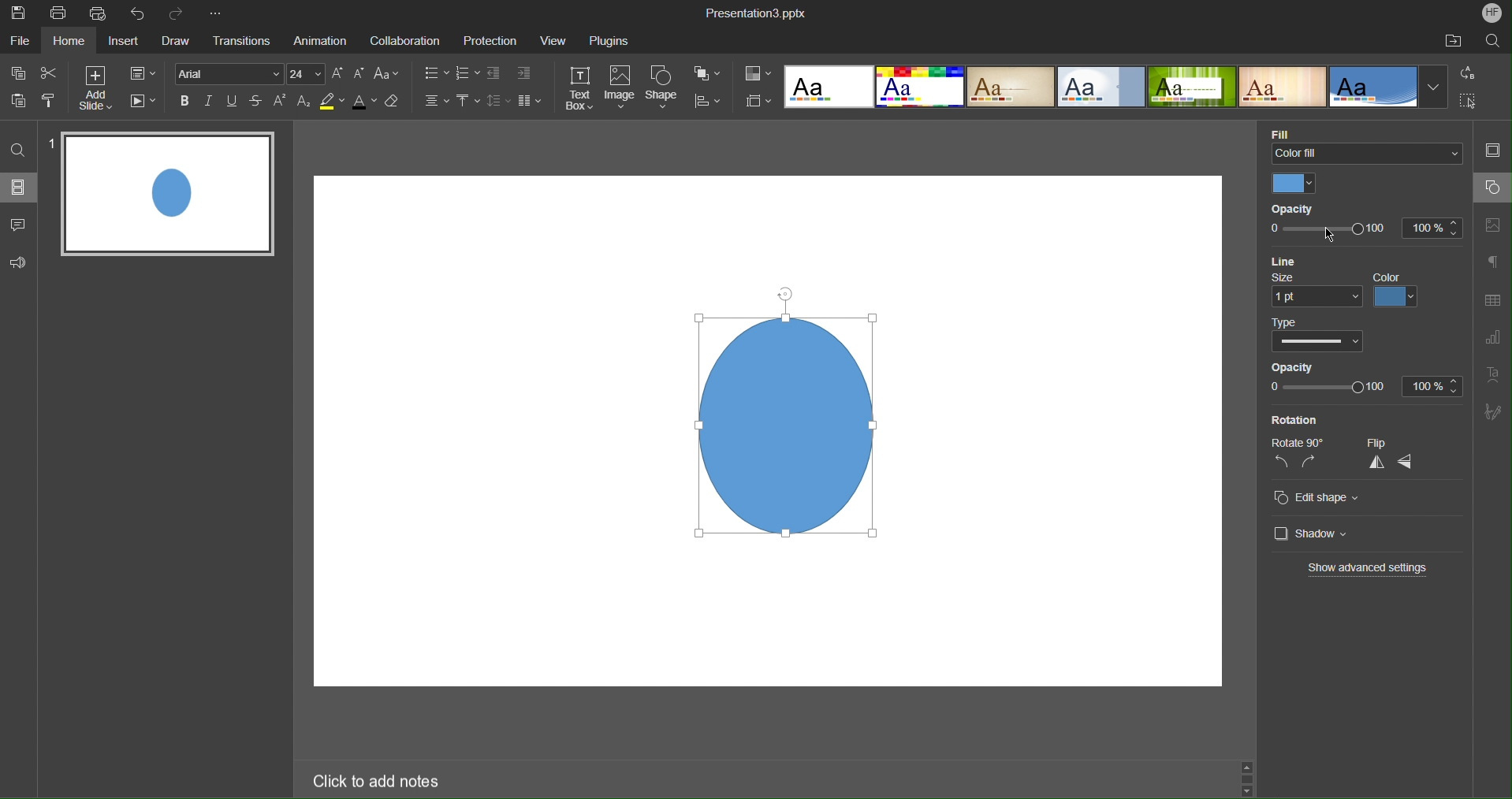  What do you see at coordinates (433, 102) in the screenshot?
I see `Alignment` at bounding box center [433, 102].